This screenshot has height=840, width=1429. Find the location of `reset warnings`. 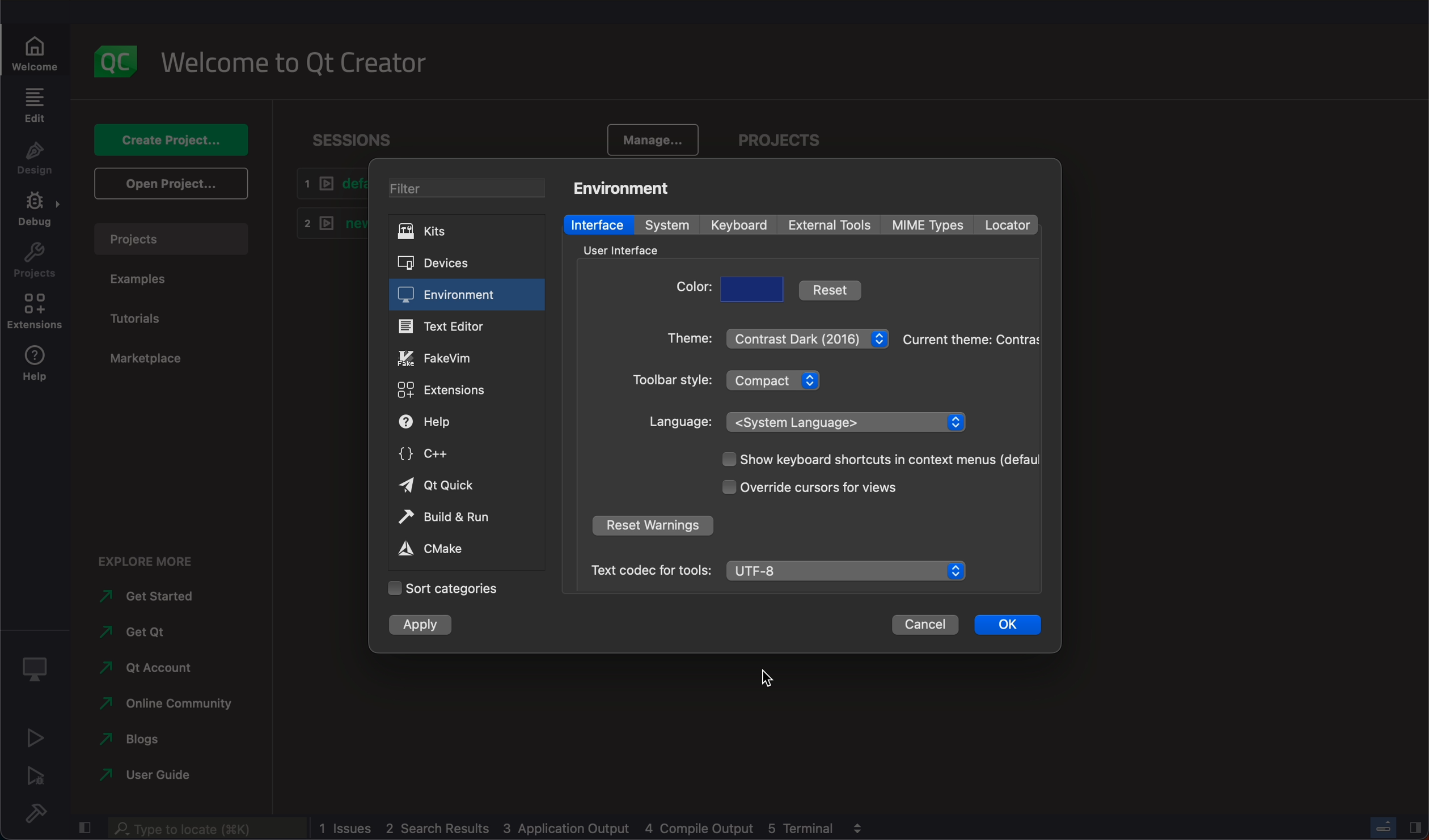

reset warnings is located at coordinates (652, 527).